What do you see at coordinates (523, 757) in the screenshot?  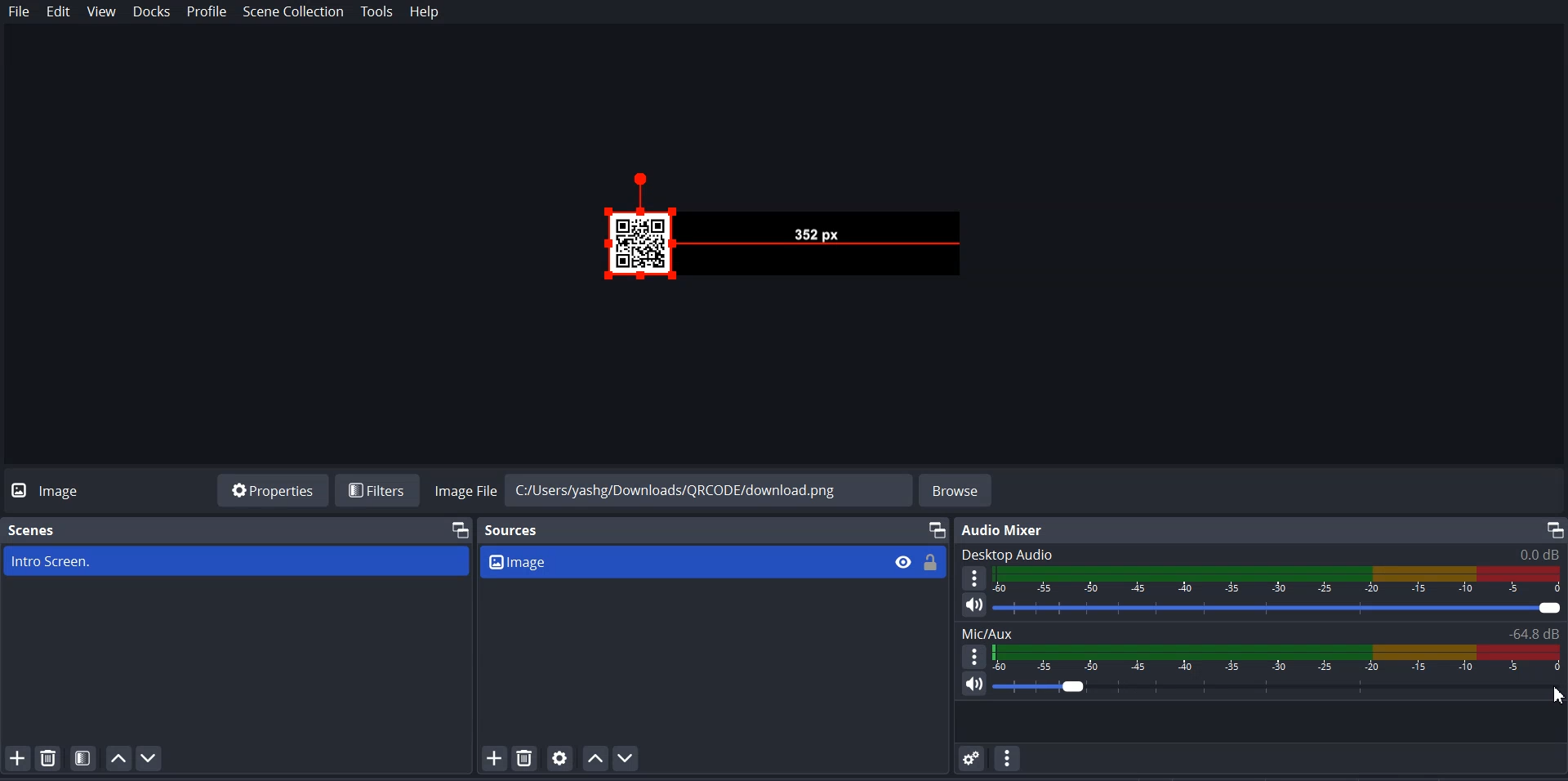 I see `Remove selected Source` at bounding box center [523, 757].